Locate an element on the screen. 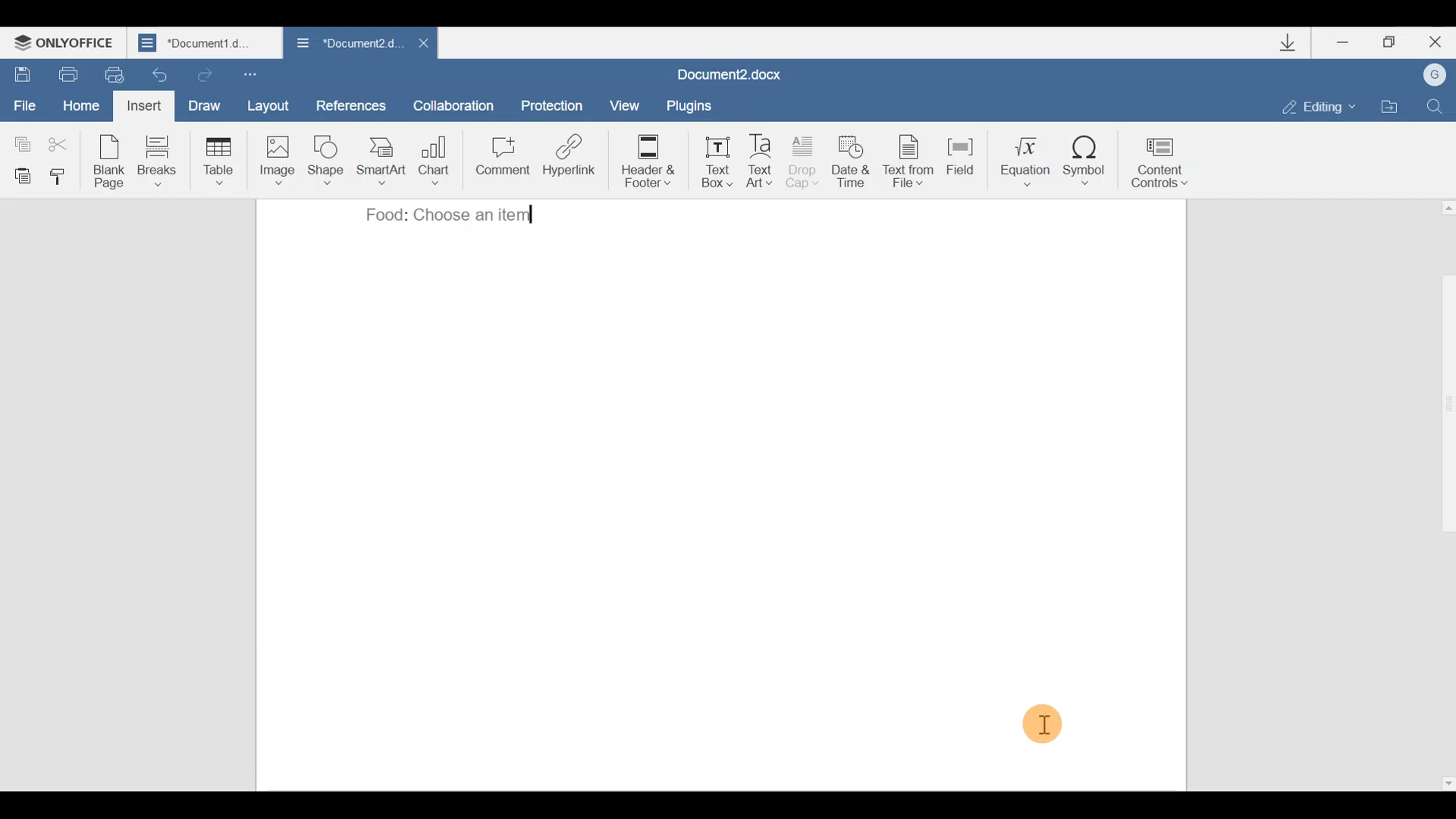 The height and width of the screenshot is (819, 1456). Header & footer is located at coordinates (643, 160).